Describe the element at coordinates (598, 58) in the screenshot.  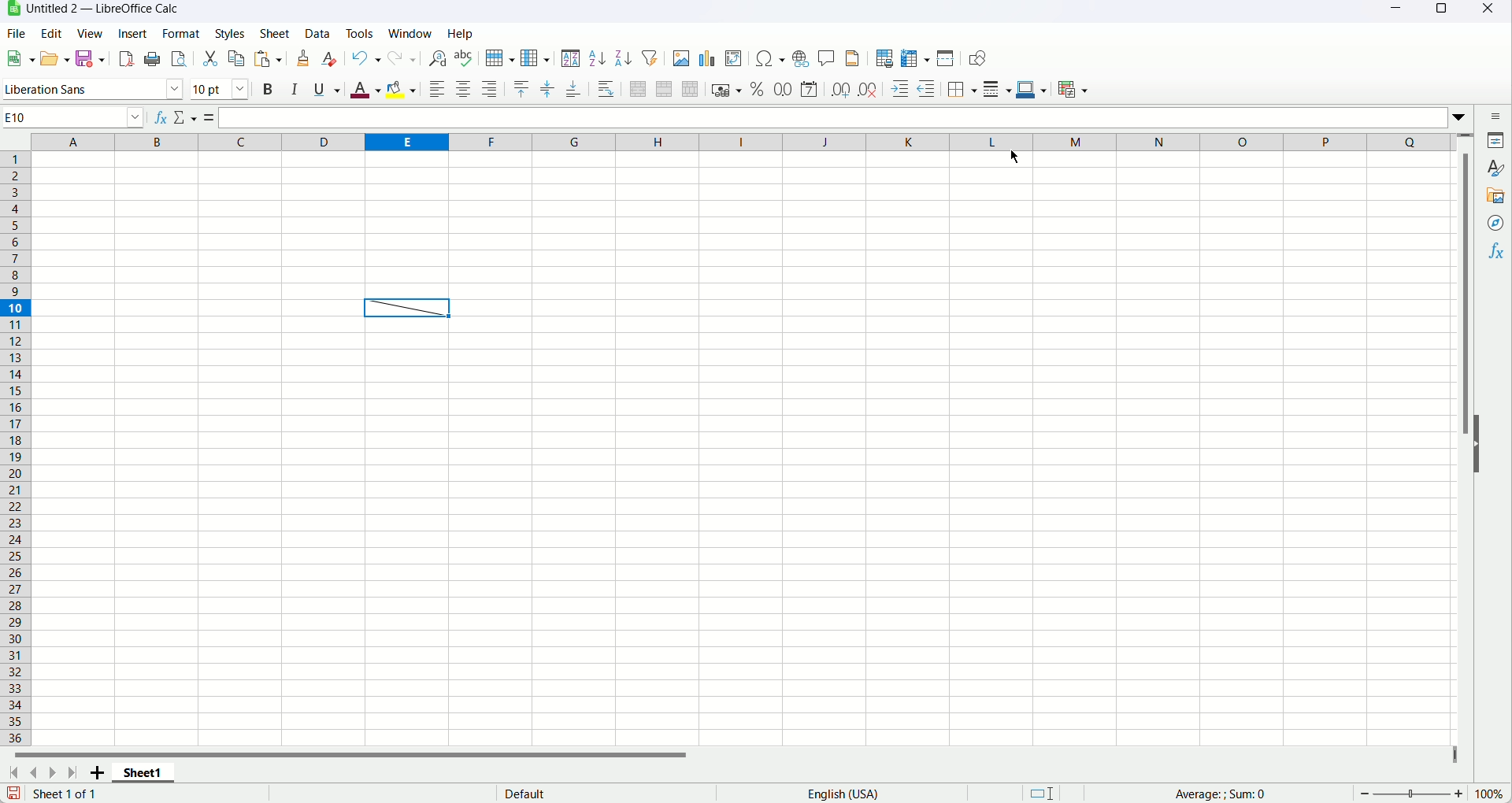
I see `Sort ascending` at that location.